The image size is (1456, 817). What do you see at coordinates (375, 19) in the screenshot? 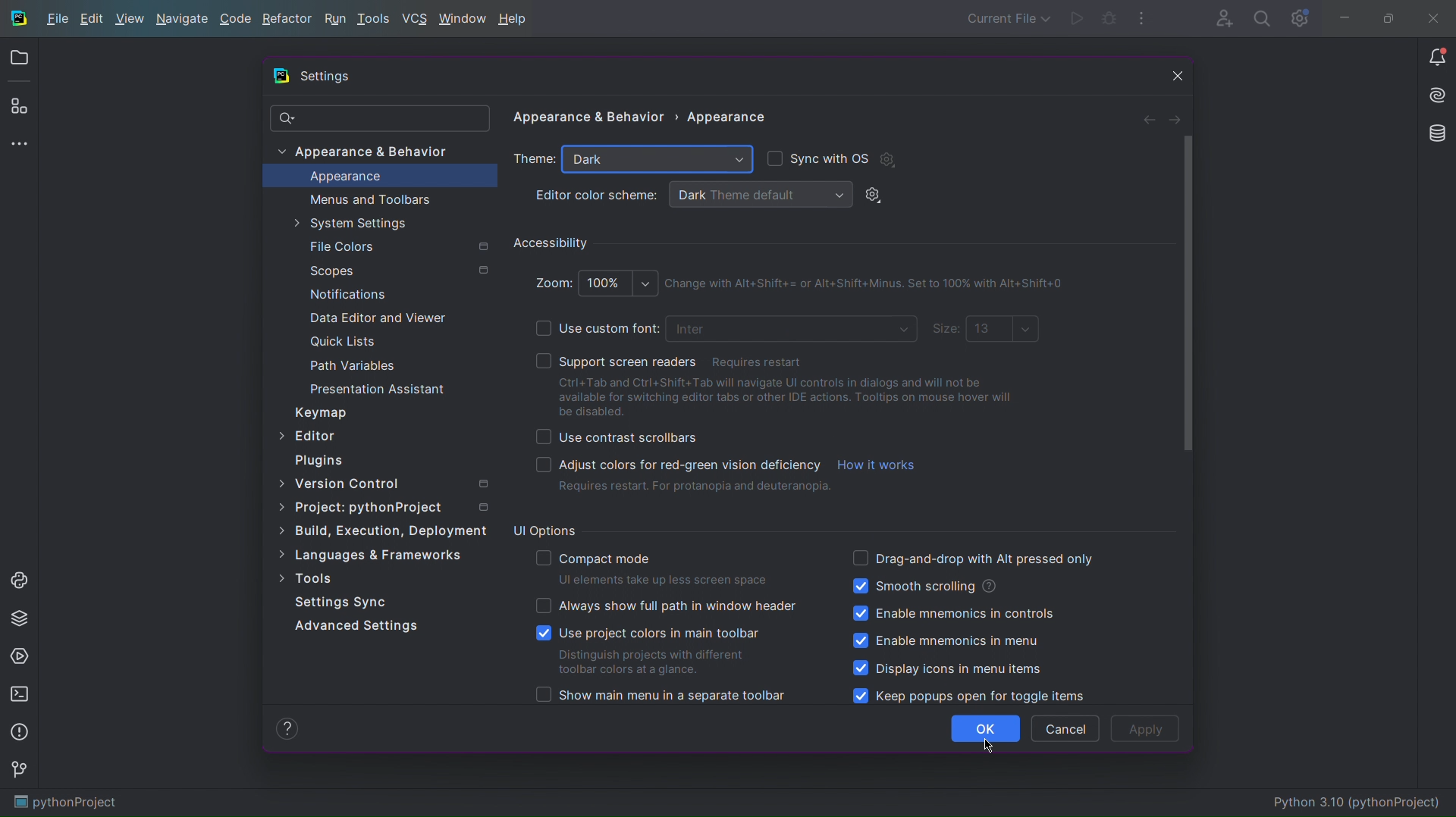
I see `Tools` at bounding box center [375, 19].